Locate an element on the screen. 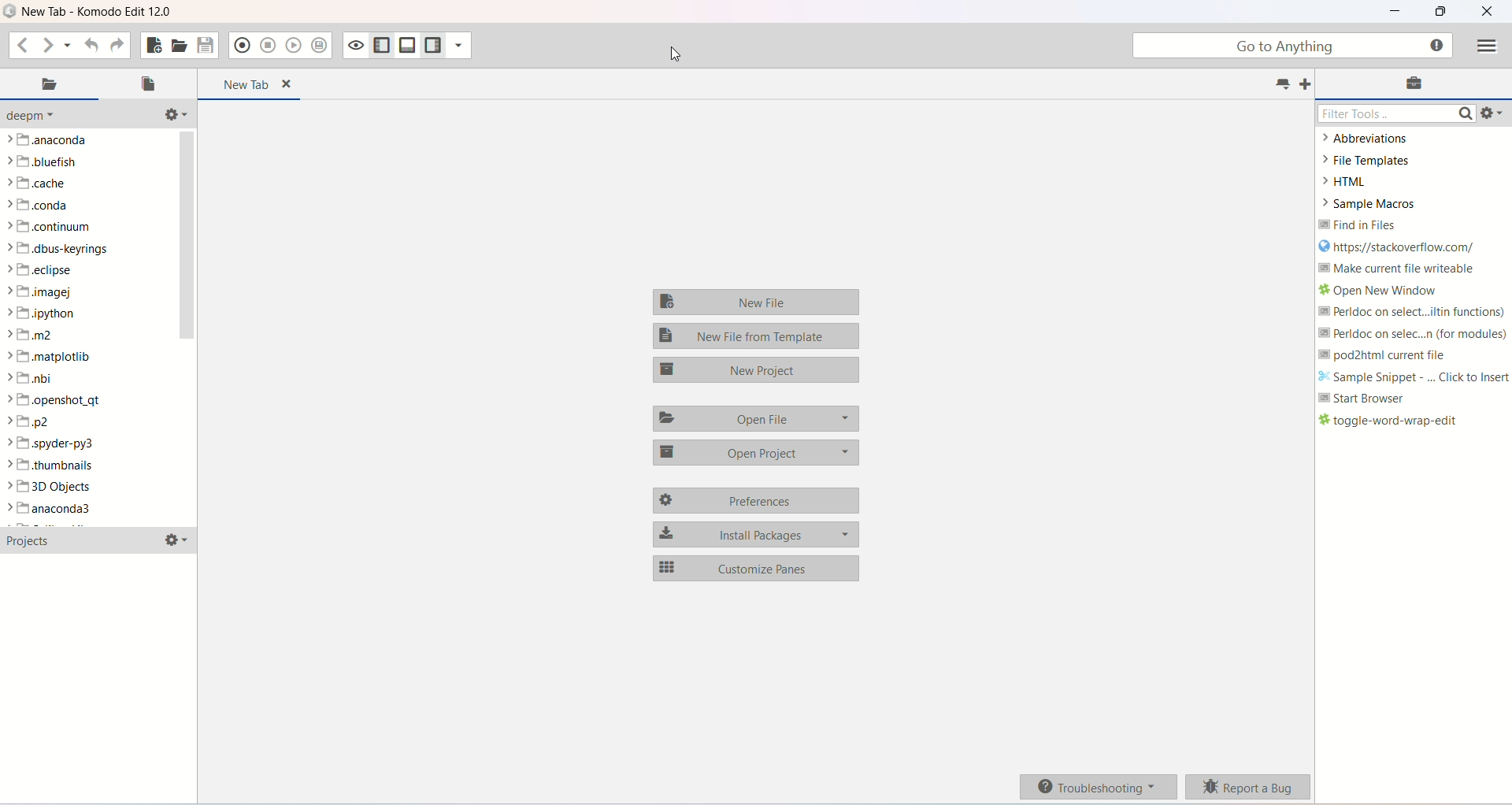 This screenshot has height=805, width=1512. play last macro is located at coordinates (294, 46).